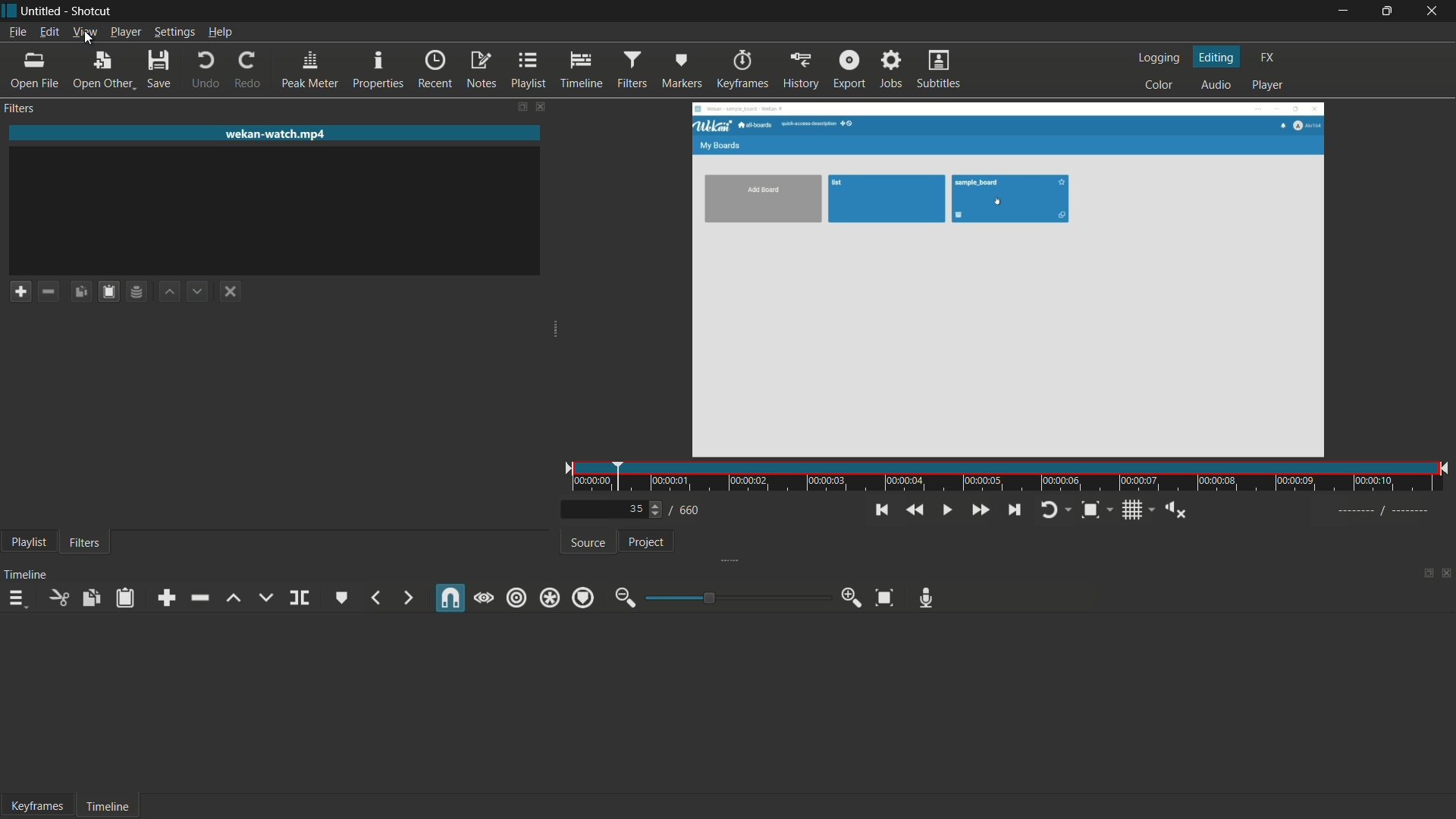  What do you see at coordinates (84, 32) in the screenshot?
I see `view menu` at bounding box center [84, 32].